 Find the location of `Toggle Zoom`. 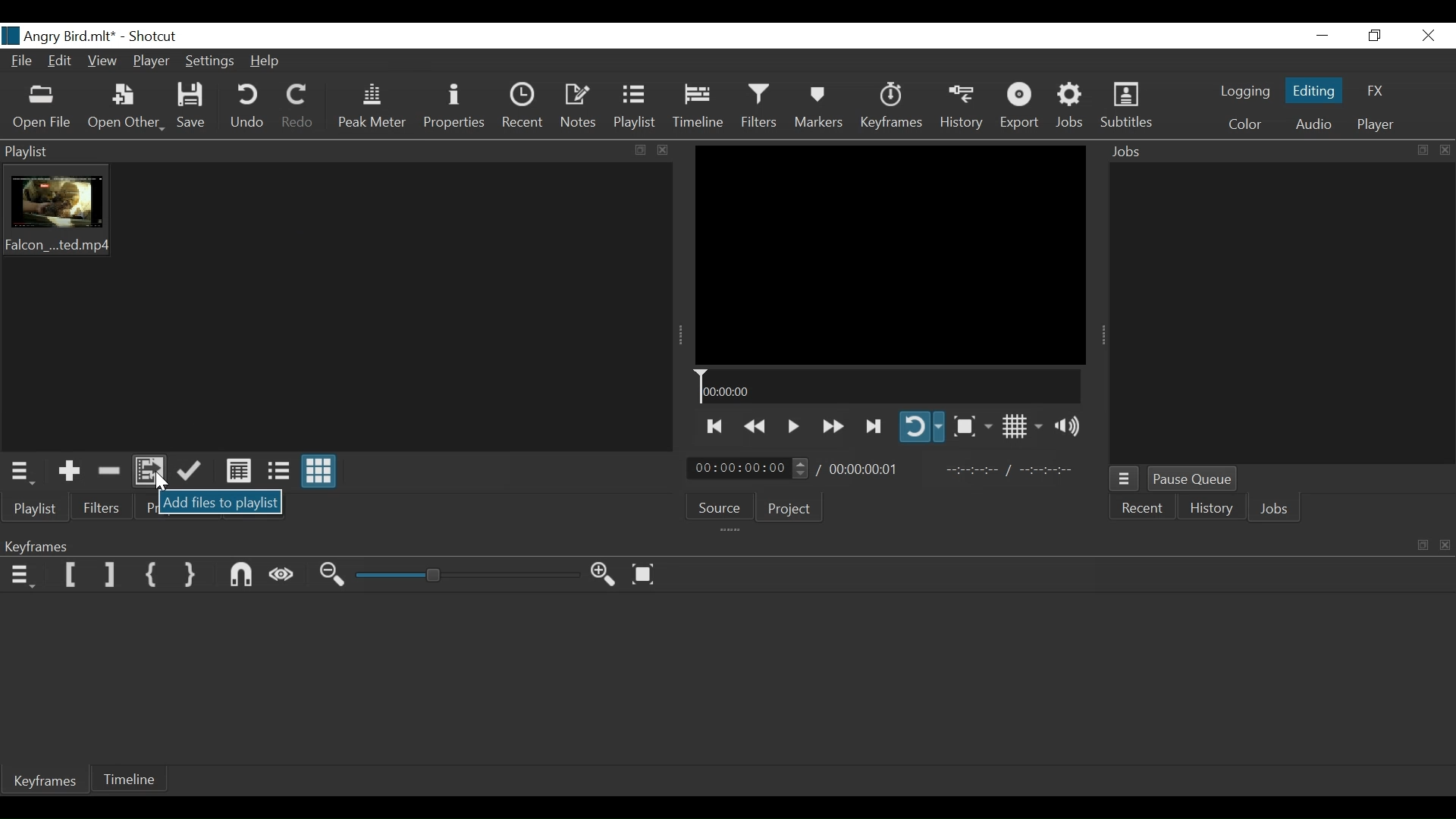

Toggle Zoom is located at coordinates (975, 428).